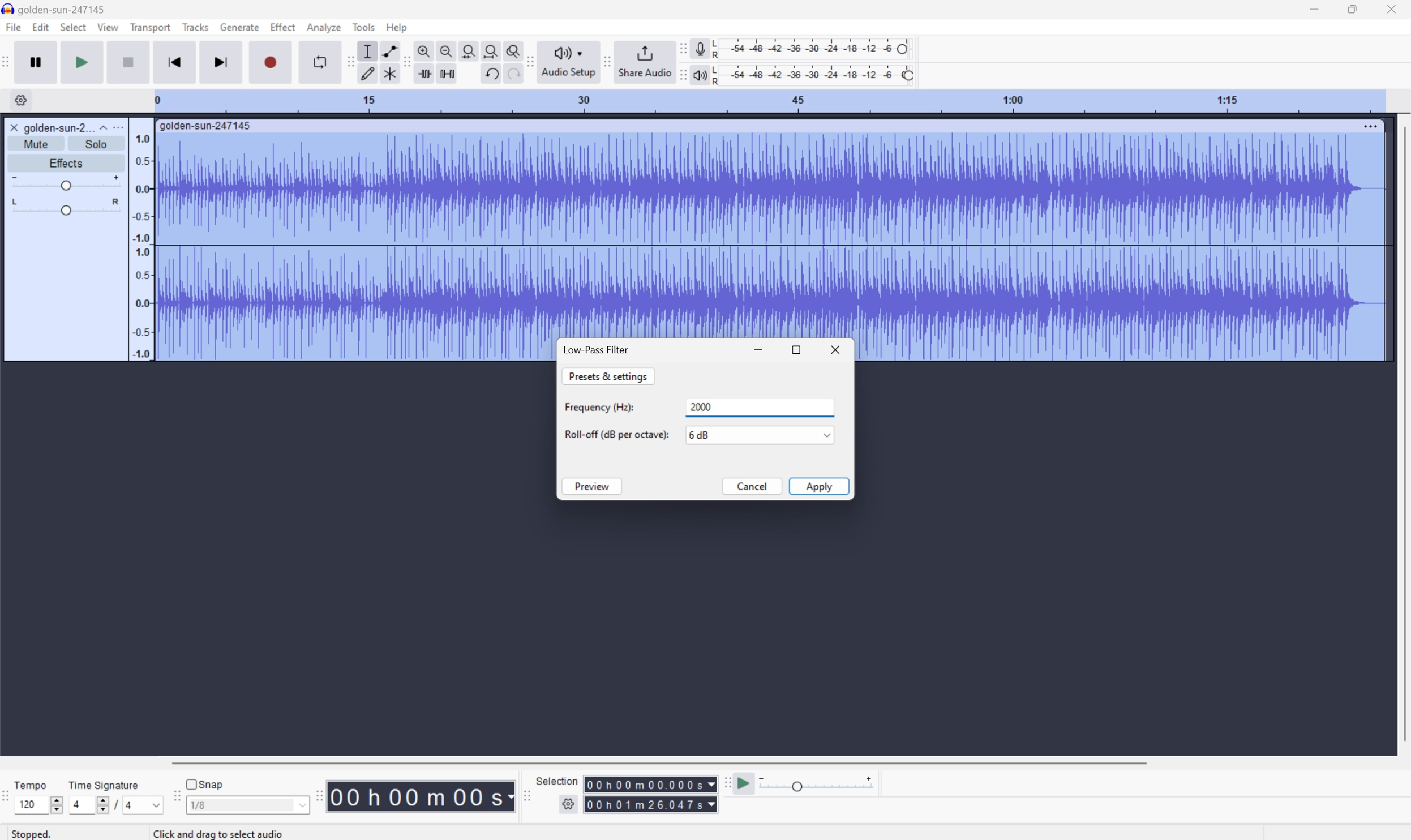 The height and width of the screenshot is (840, 1411). Describe the element at coordinates (33, 783) in the screenshot. I see `Tempo` at that location.